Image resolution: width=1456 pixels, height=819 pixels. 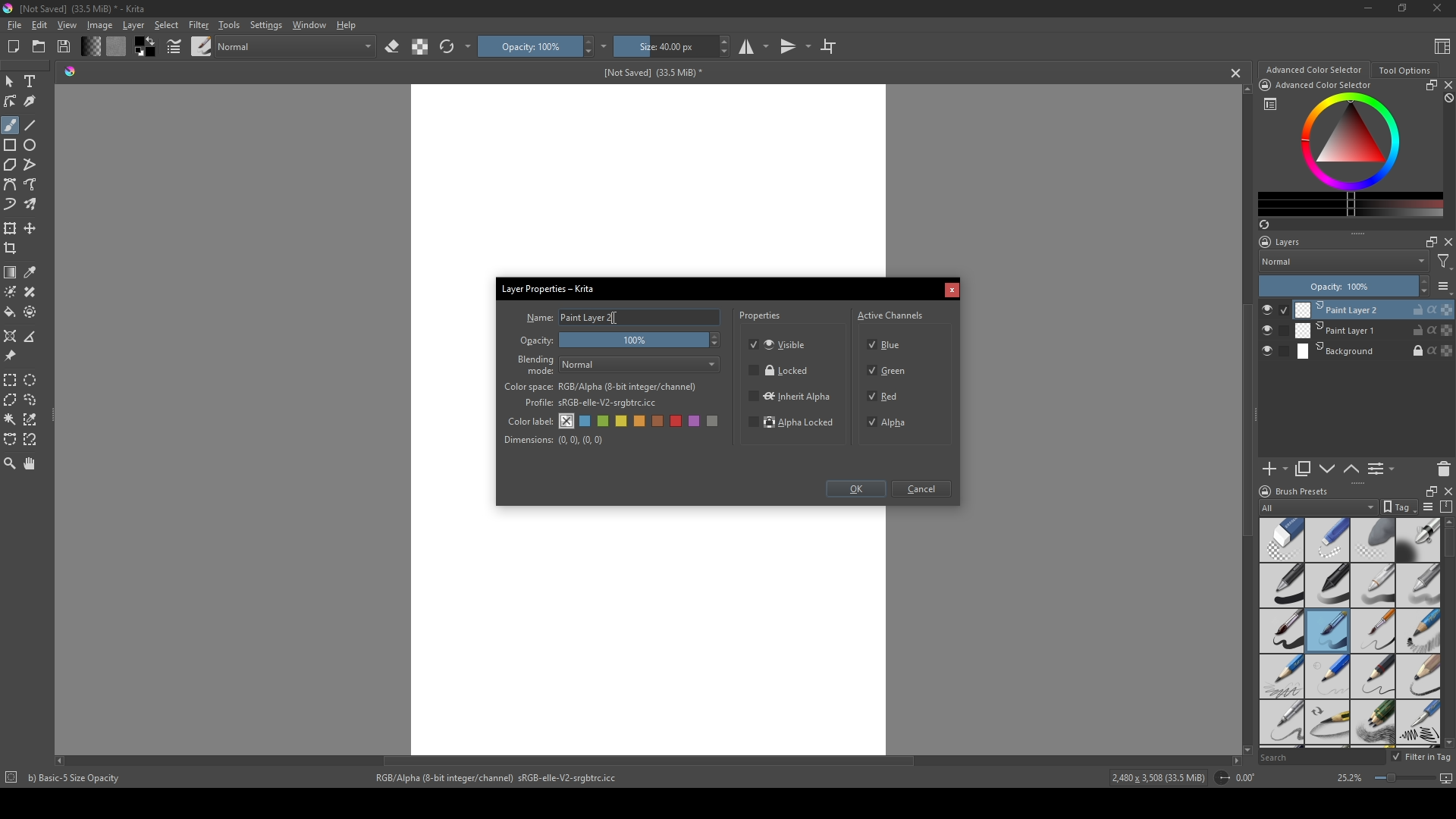 What do you see at coordinates (641, 365) in the screenshot?
I see `Normal` at bounding box center [641, 365].